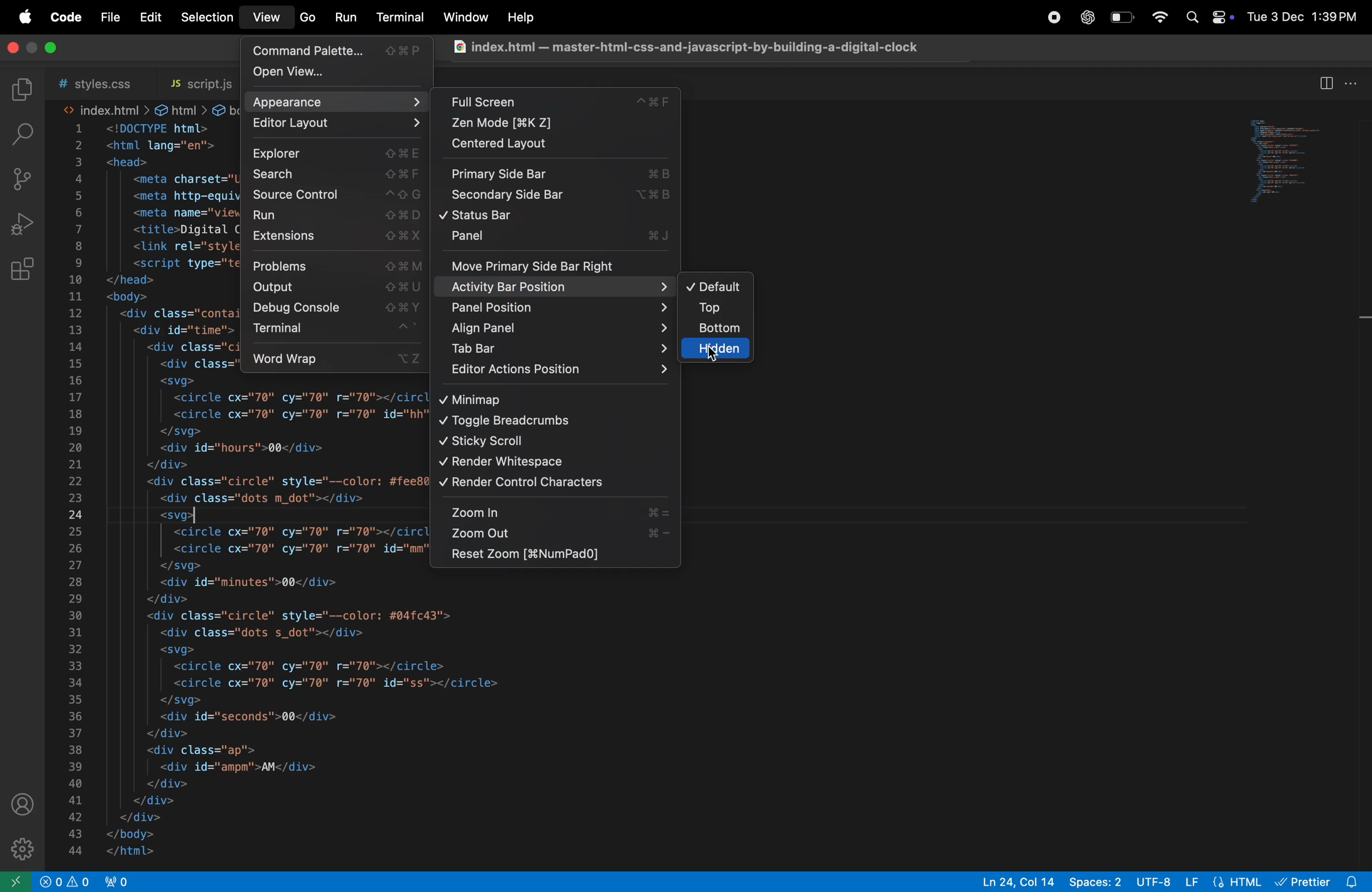 The image size is (1372, 892). I want to click on profile, so click(22, 803).